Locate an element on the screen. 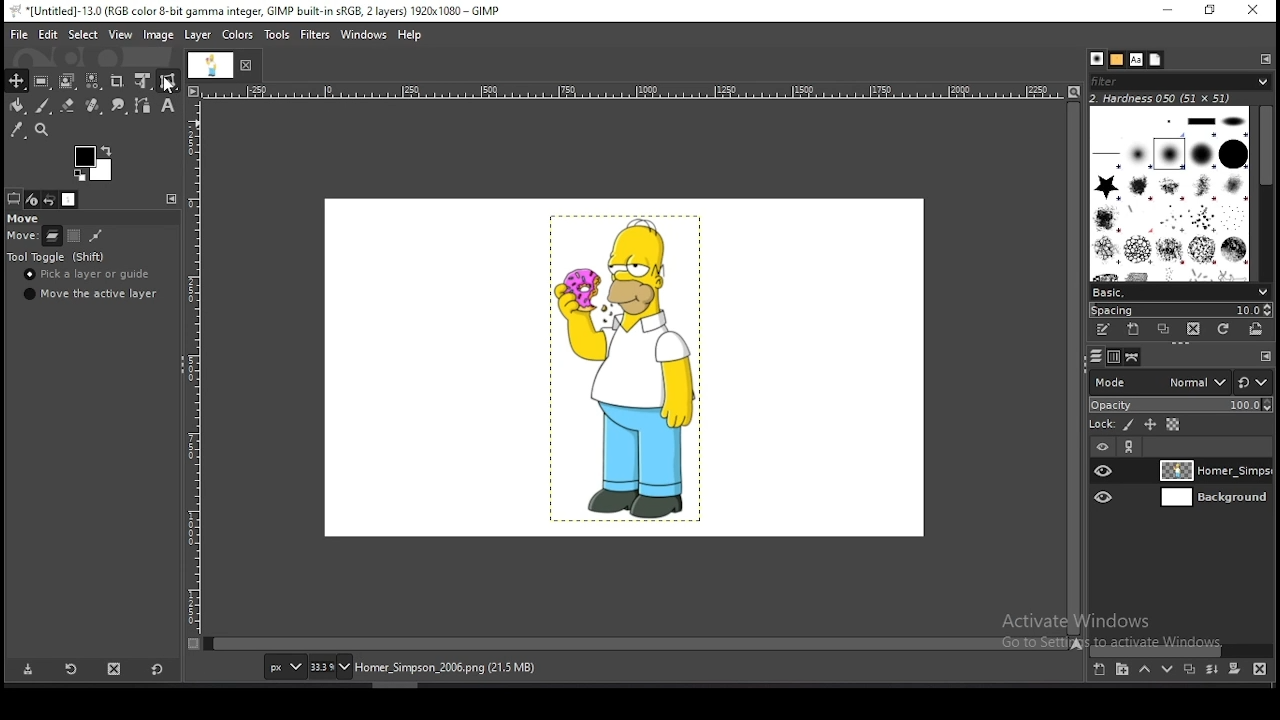 This screenshot has height=720, width=1280. move the active layer is located at coordinates (91, 294).